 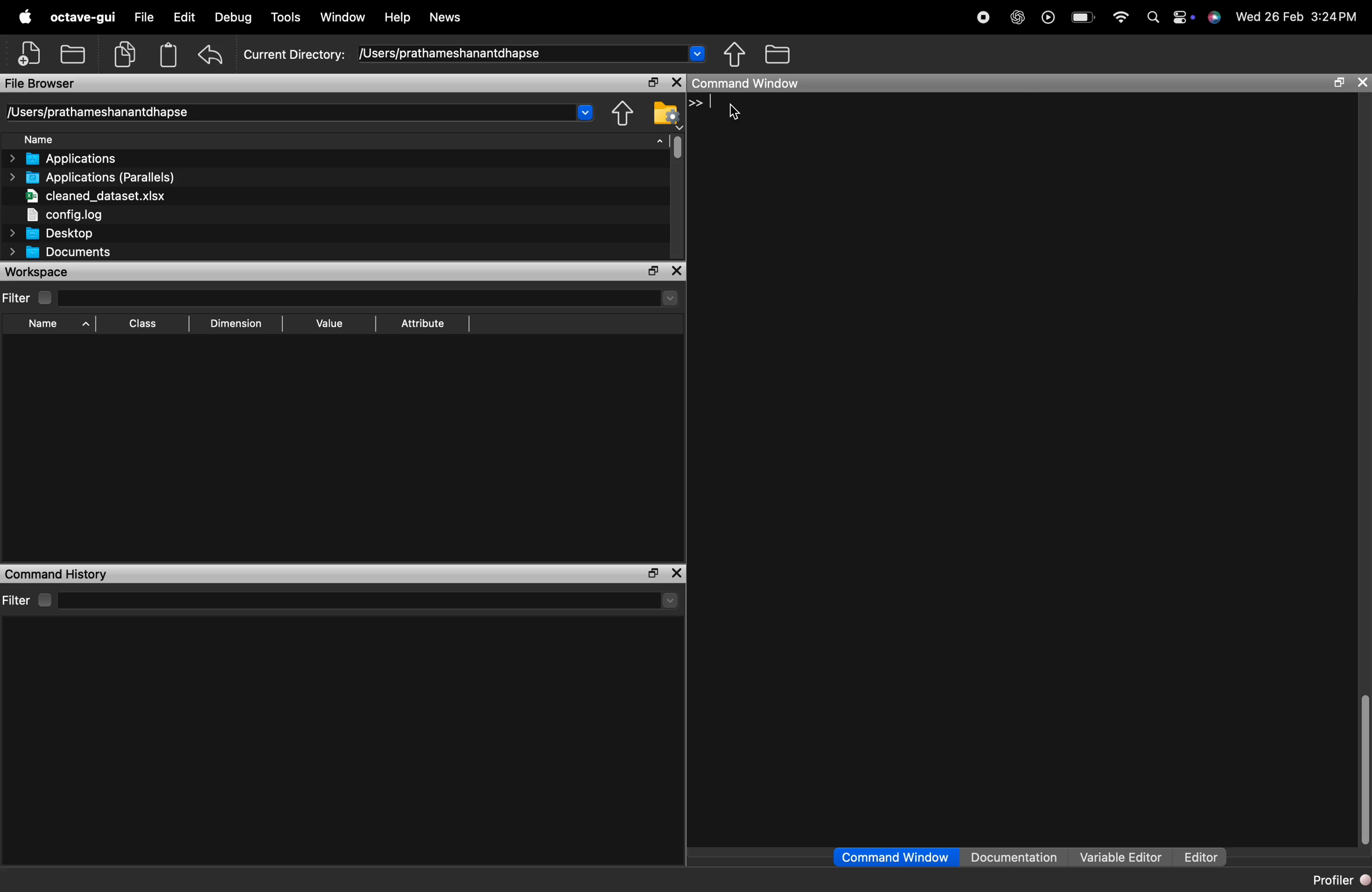 I want to click on Browse directories, so click(x=778, y=54).